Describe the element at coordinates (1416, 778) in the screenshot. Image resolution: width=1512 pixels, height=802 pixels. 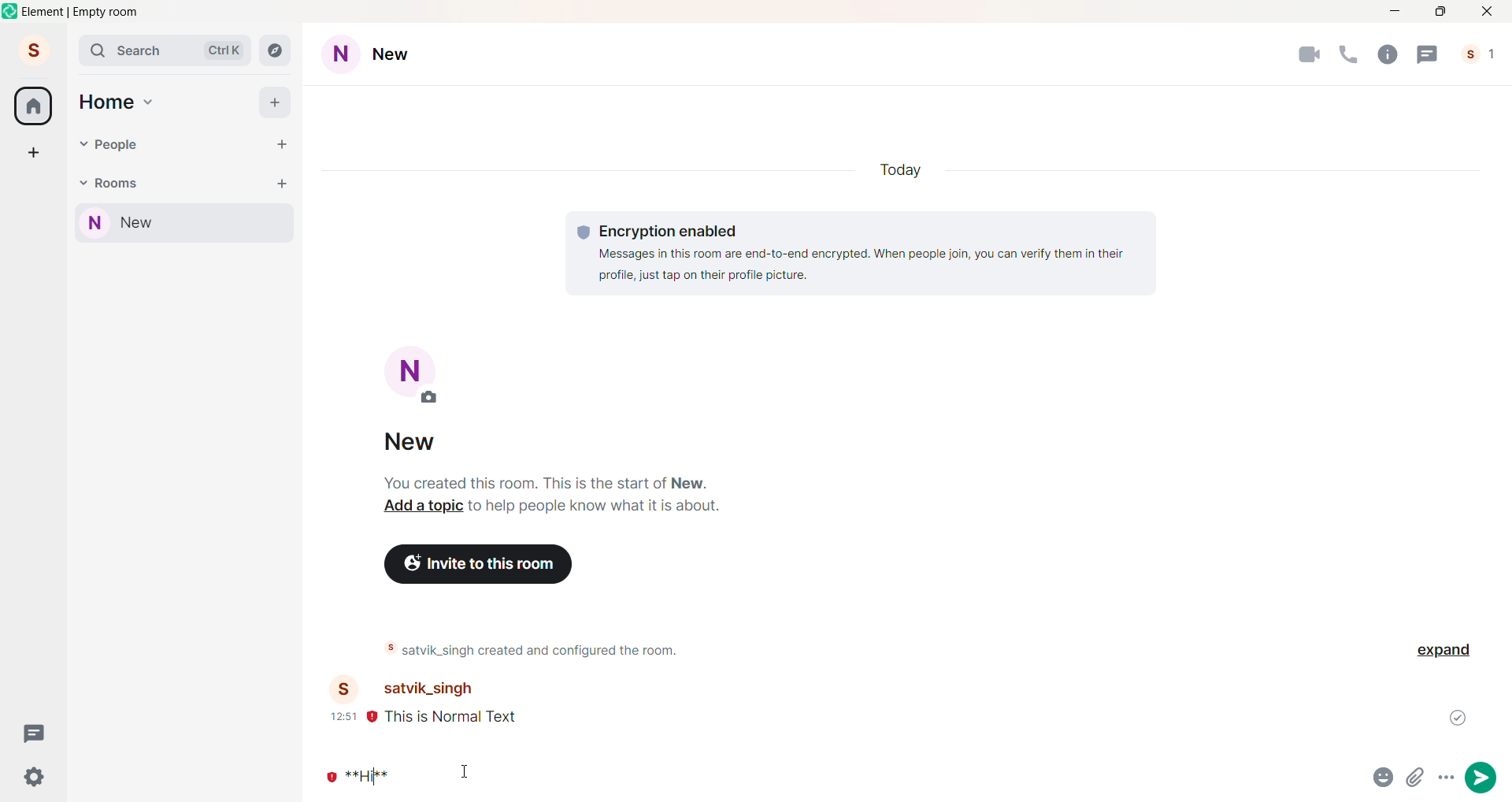
I see `attachments` at that location.